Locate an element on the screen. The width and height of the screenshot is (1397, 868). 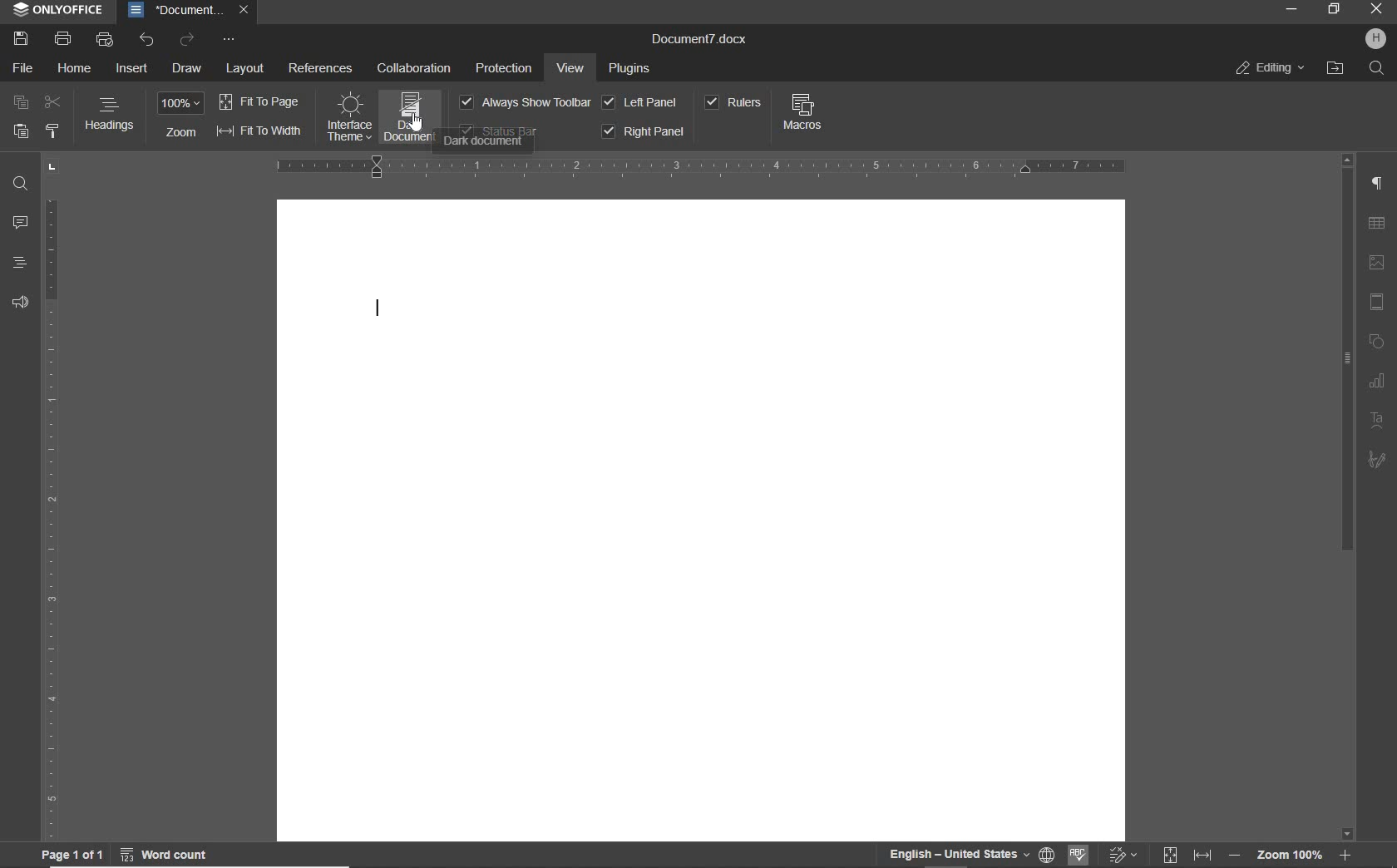
FIND is located at coordinates (21, 186).